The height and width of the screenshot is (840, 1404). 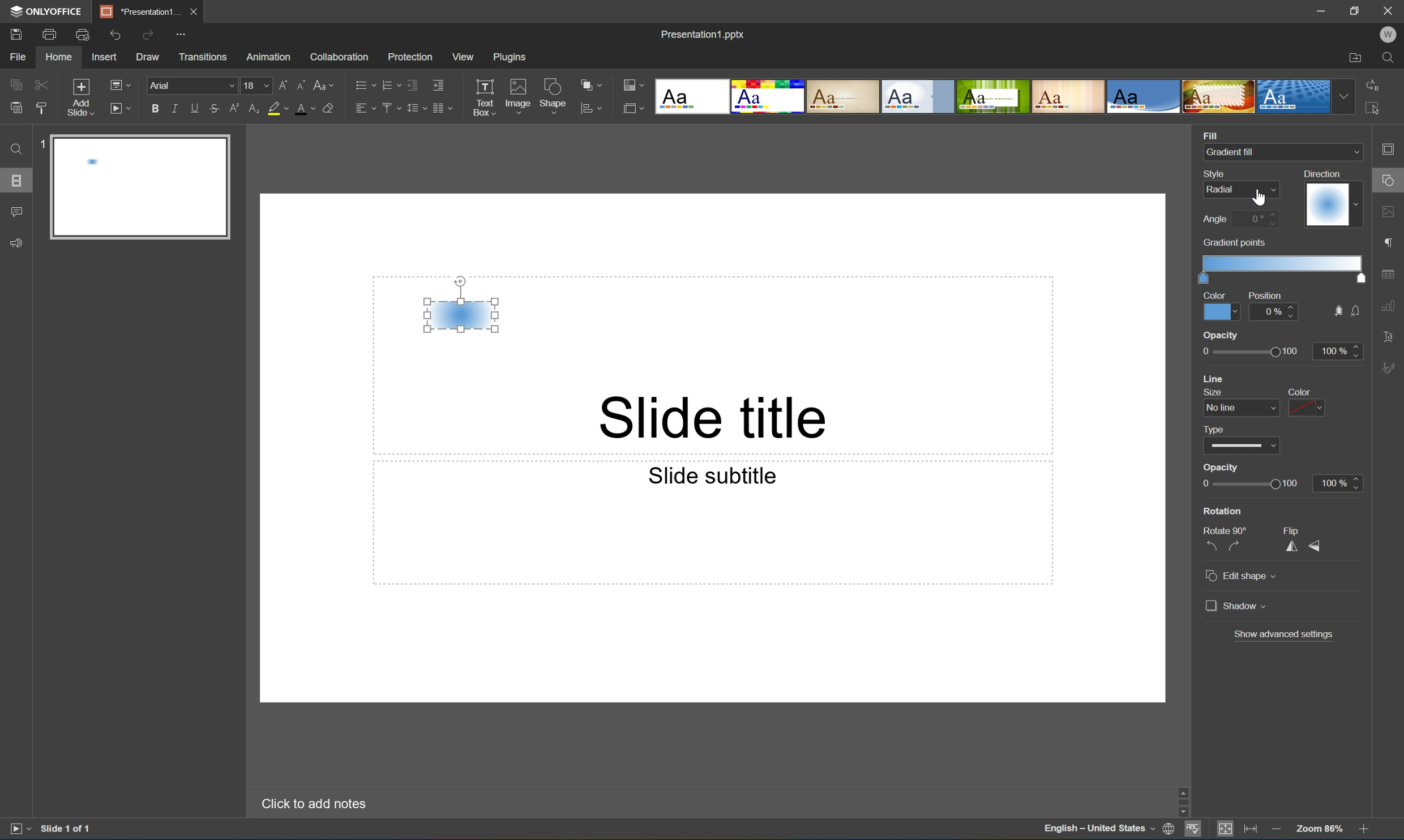 I want to click on Rotate 90° clockwise, so click(x=1236, y=546).